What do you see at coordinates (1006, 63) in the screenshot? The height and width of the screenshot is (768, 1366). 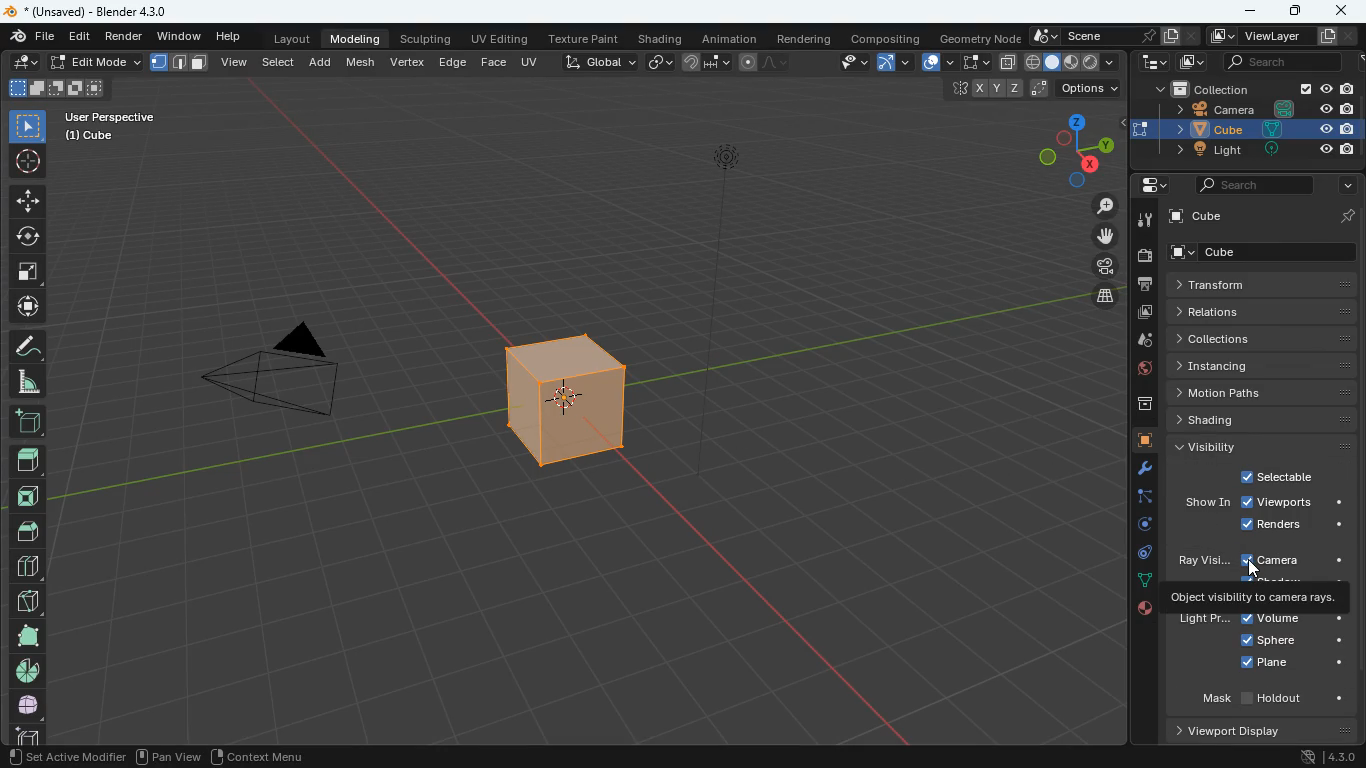 I see `copy` at bounding box center [1006, 63].